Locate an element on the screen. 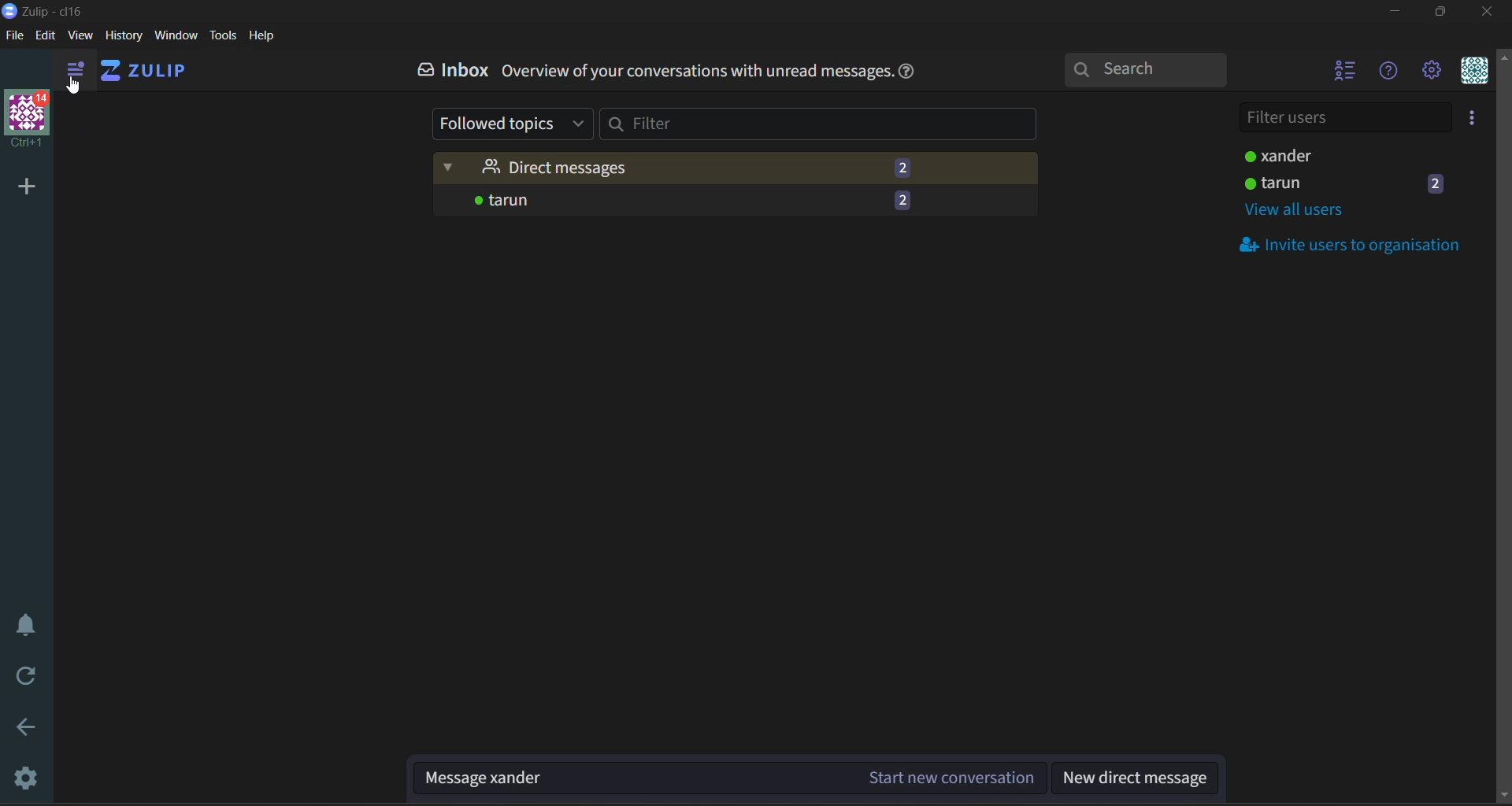 The height and width of the screenshot is (806, 1512). settings is located at coordinates (31, 778).